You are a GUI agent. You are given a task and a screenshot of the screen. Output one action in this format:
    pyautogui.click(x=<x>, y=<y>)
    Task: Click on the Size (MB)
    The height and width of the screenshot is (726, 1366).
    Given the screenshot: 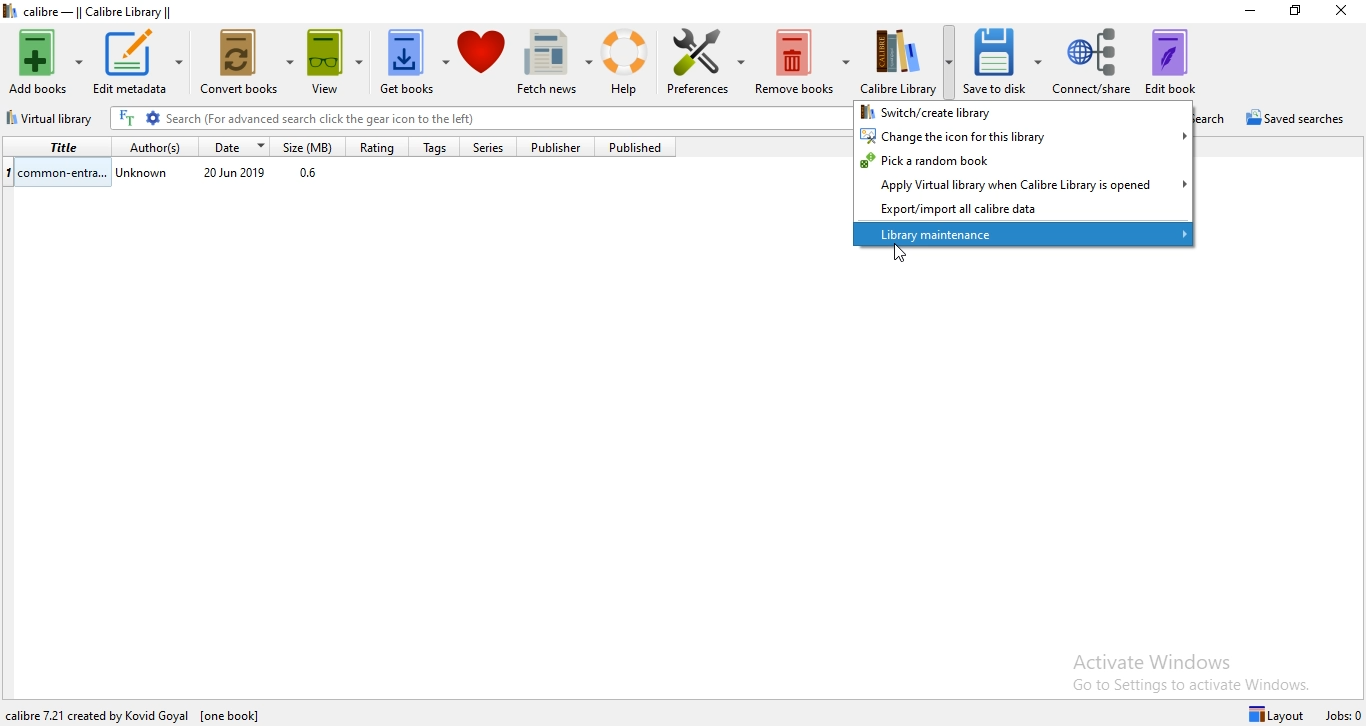 What is the action you would take?
    pyautogui.click(x=312, y=146)
    